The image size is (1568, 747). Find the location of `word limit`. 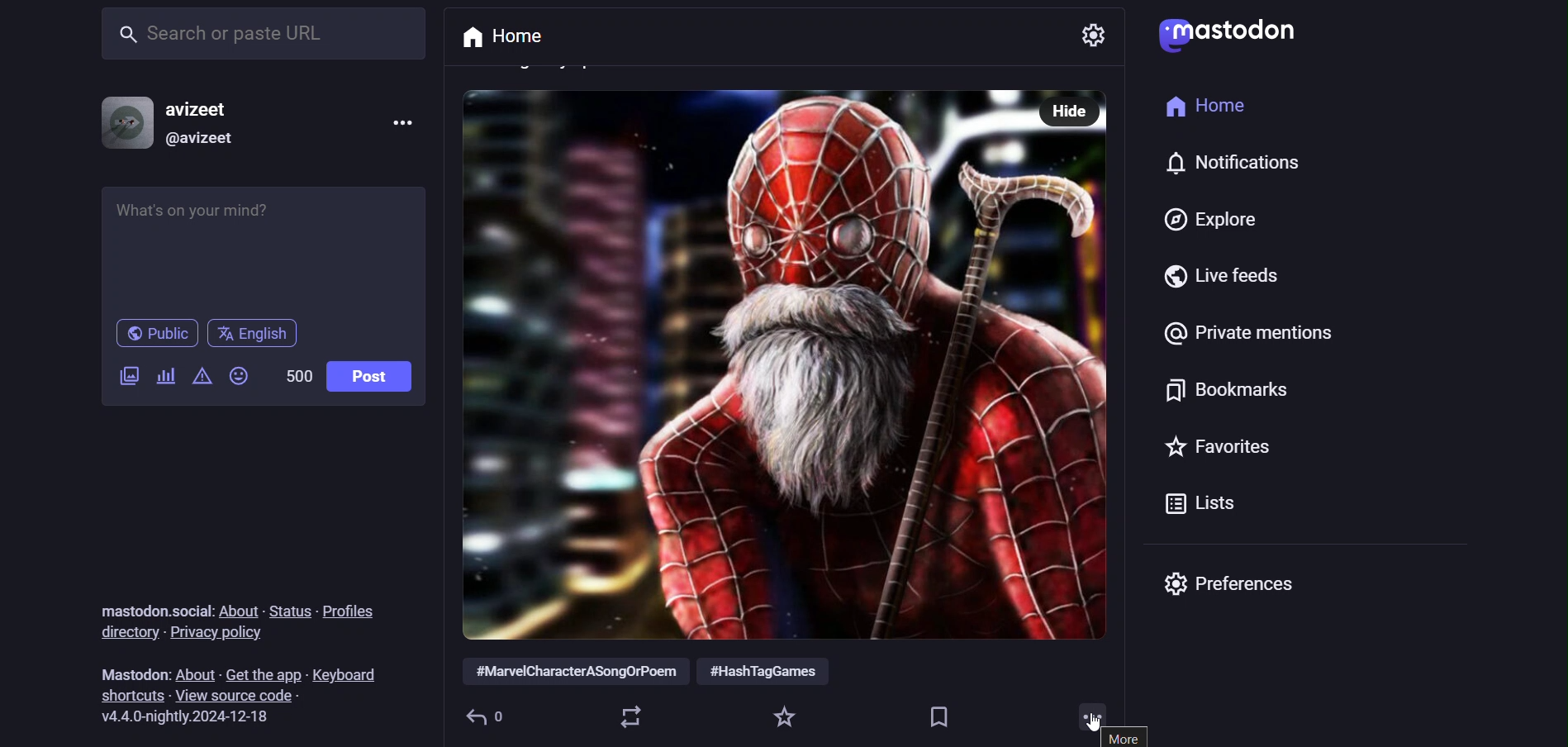

word limit is located at coordinates (294, 375).